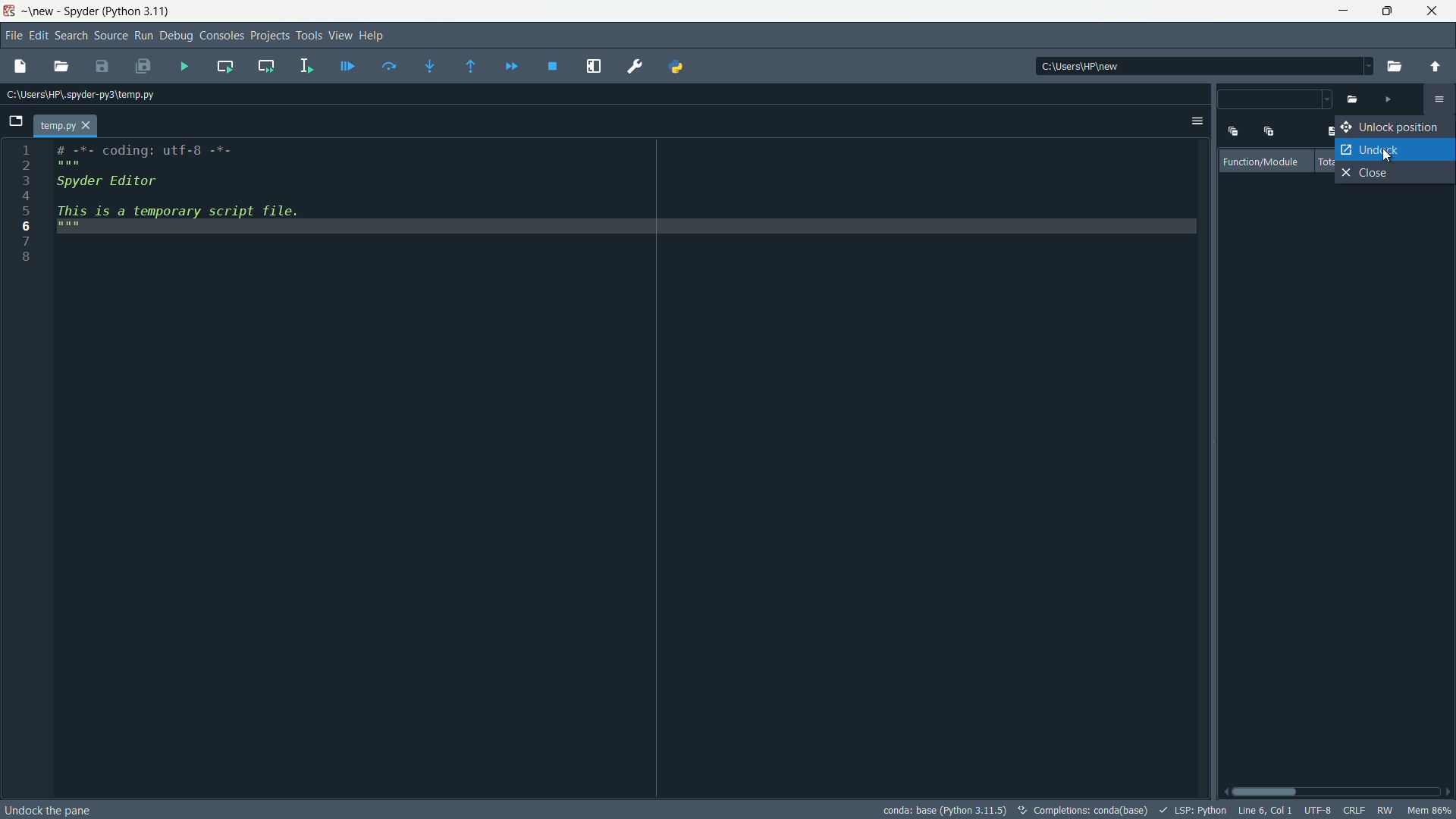 The width and height of the screenshot is (1456, 819). What do you see at coordinates (267, 36) in the screenshot?
I see `projects menu` at bounding box center [267, 36].